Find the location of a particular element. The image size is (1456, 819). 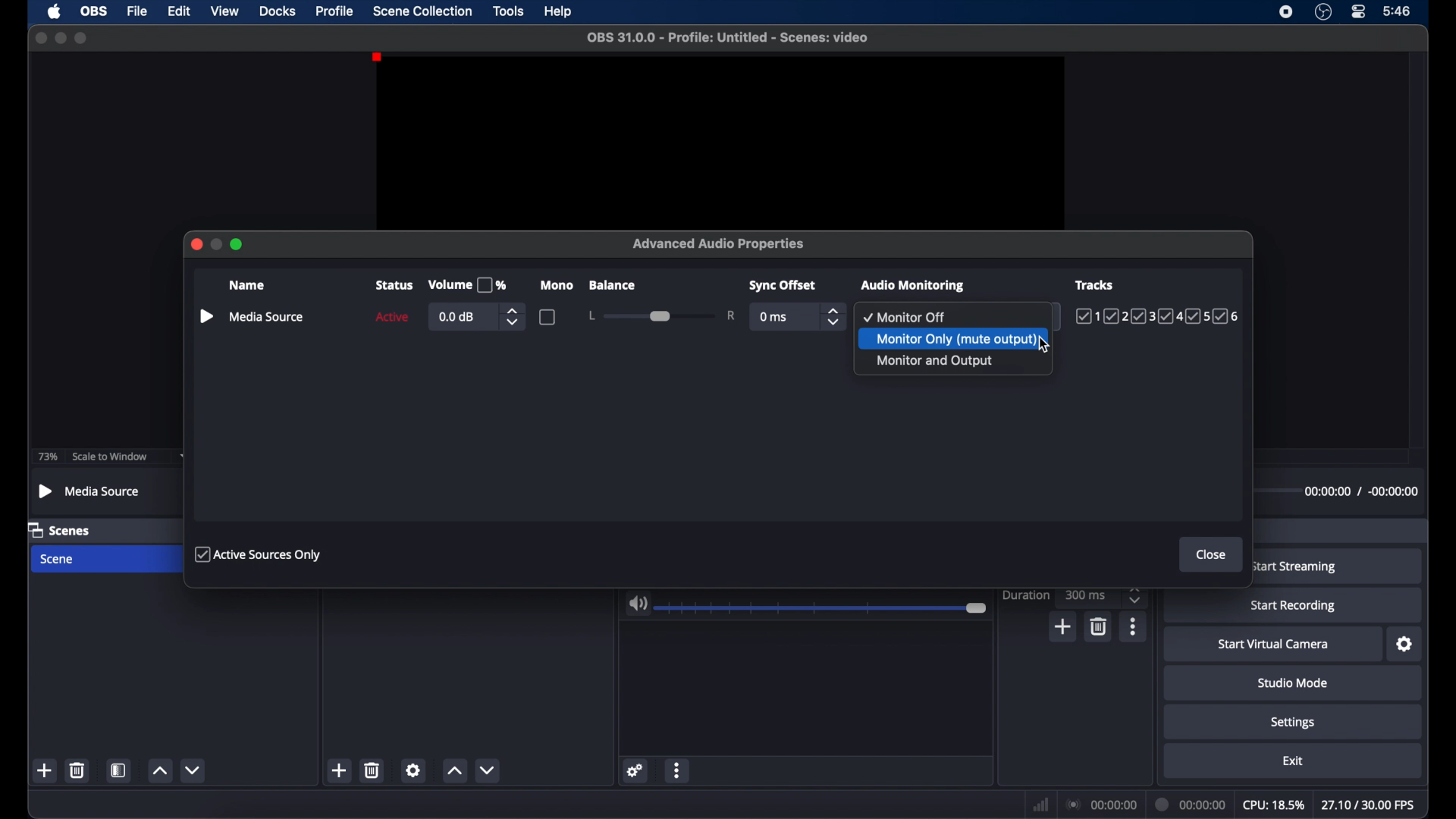

more options is located at coordinates (677, 770).